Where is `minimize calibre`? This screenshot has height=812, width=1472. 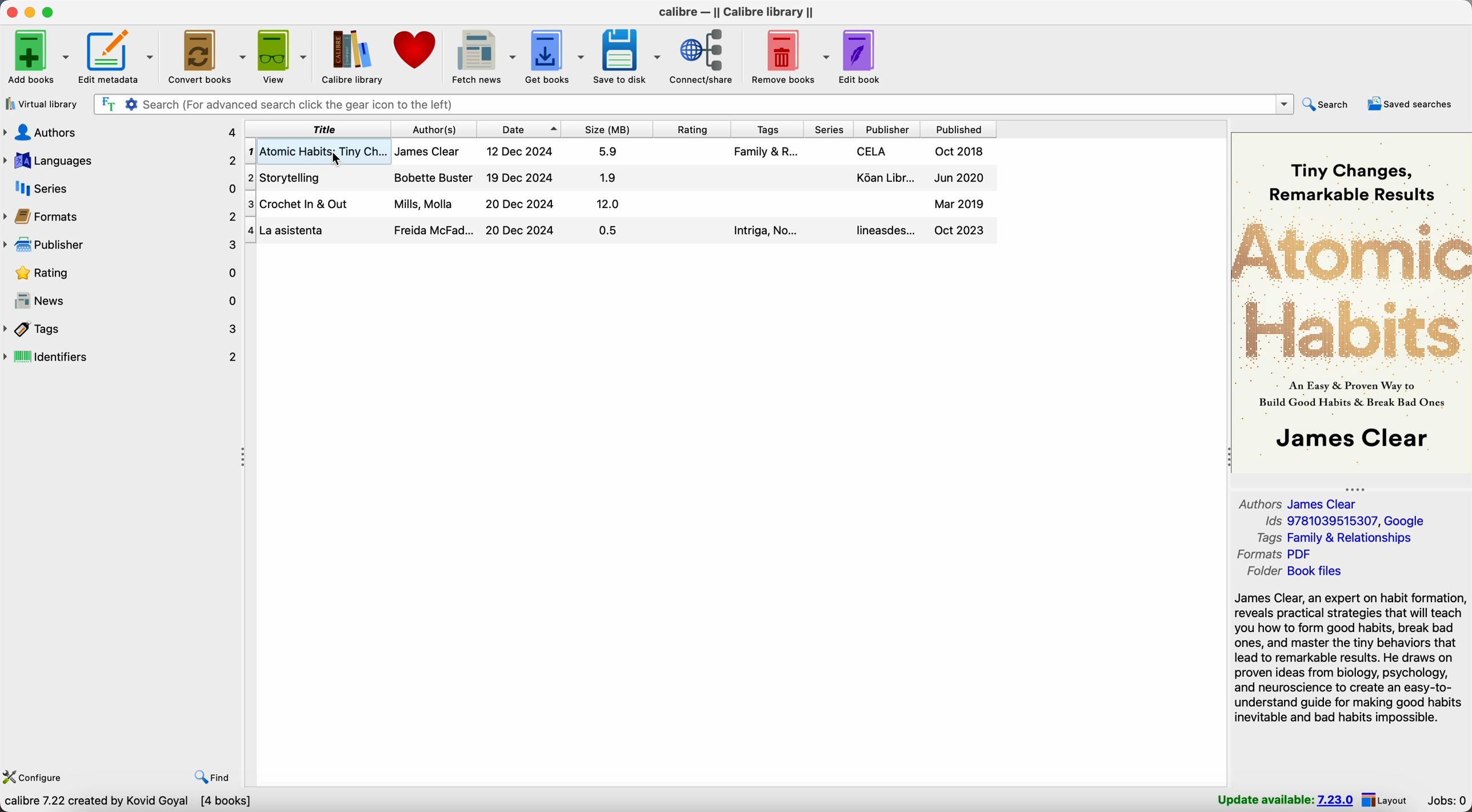 minimize calibre is located at coordinates (30, 13).